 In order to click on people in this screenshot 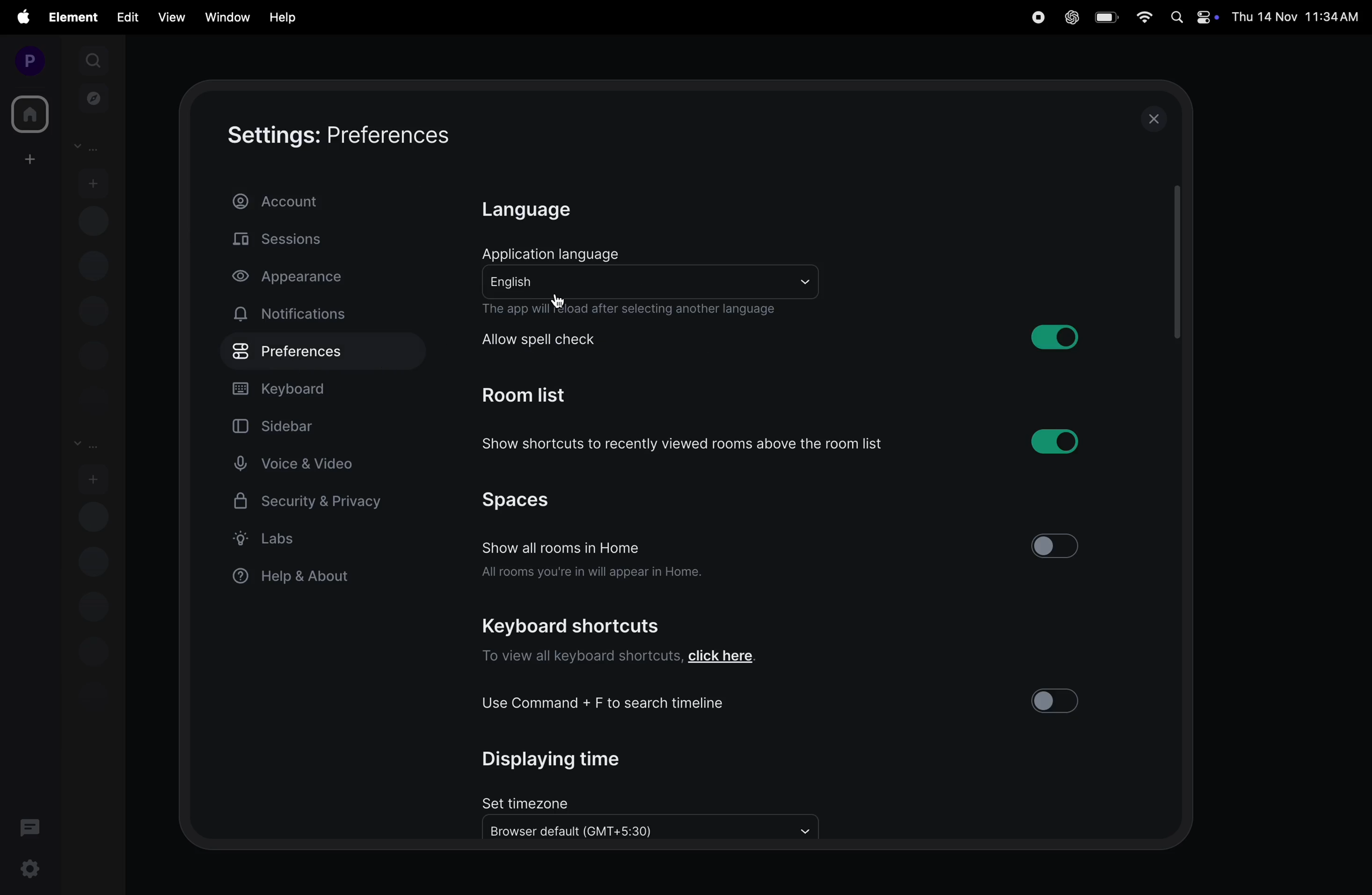, I will do `click(86, 148)`.